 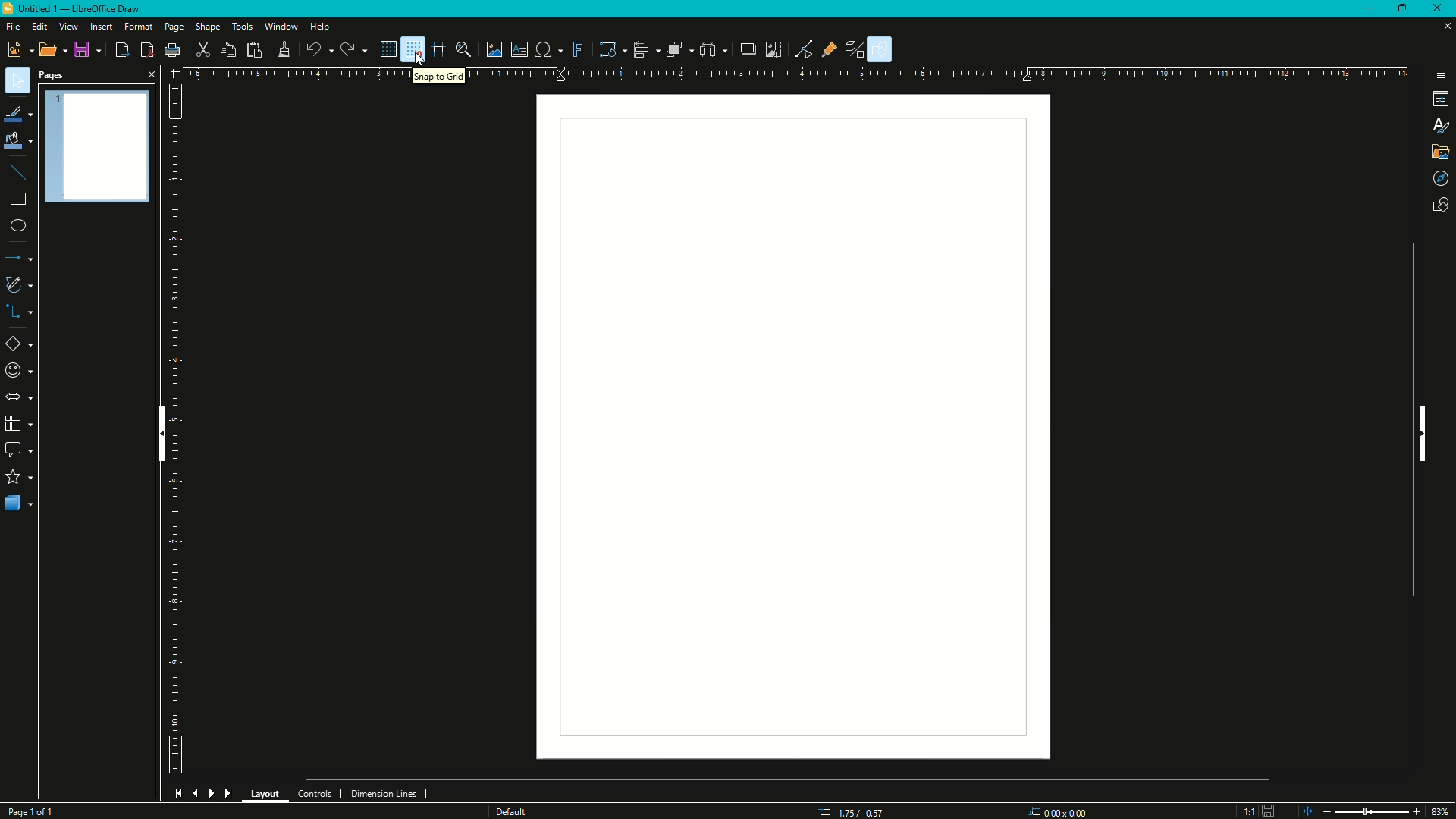 What do you see at coordinates (195, 790) in the screenshot?
I see `Previous page` at bounding box center [195, 790].